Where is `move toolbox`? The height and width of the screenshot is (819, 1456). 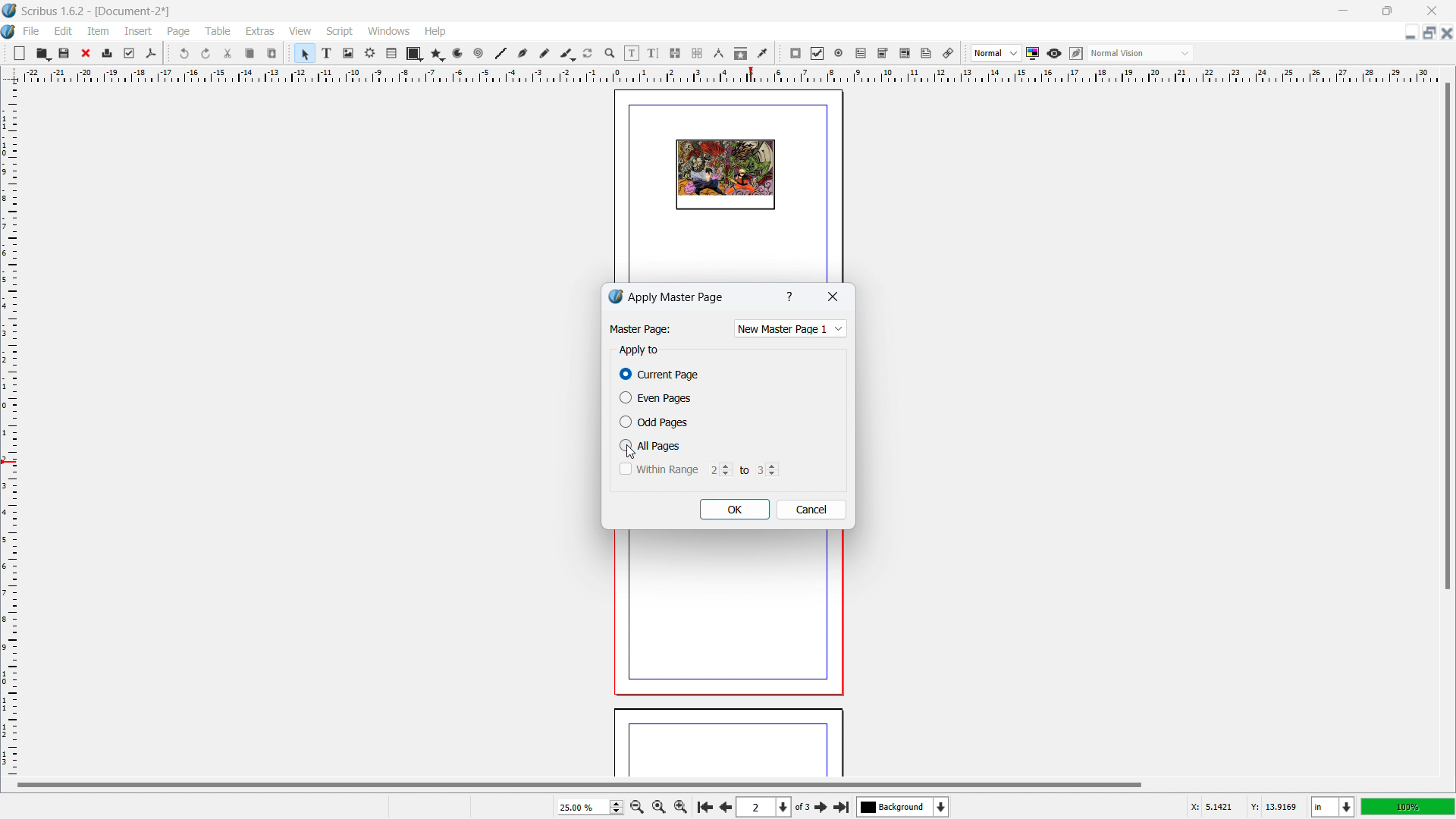
move toolbox is located at coordinates (168, 52).